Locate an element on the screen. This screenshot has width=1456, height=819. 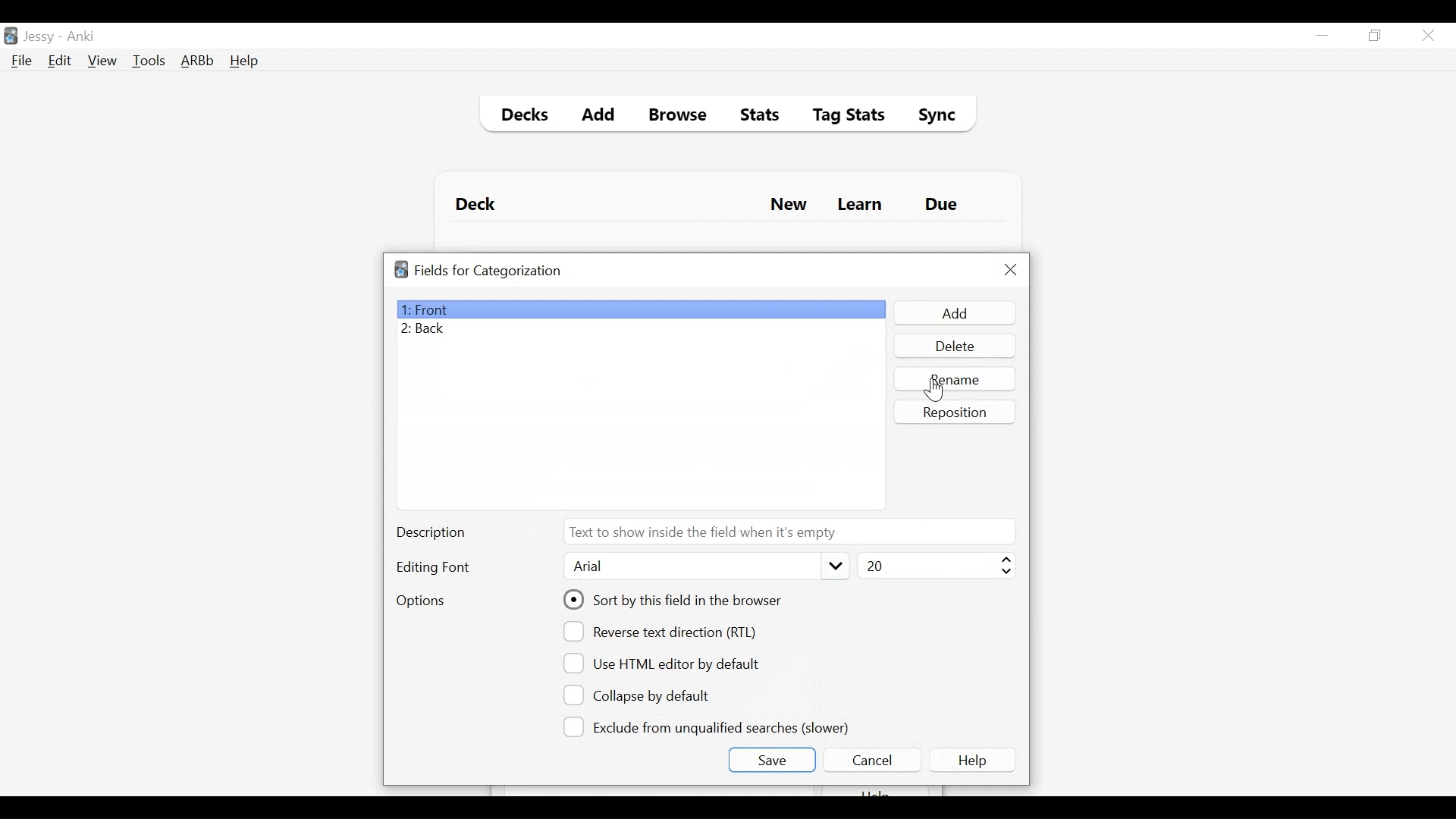
Reposition is located at coordinates (956, 412).